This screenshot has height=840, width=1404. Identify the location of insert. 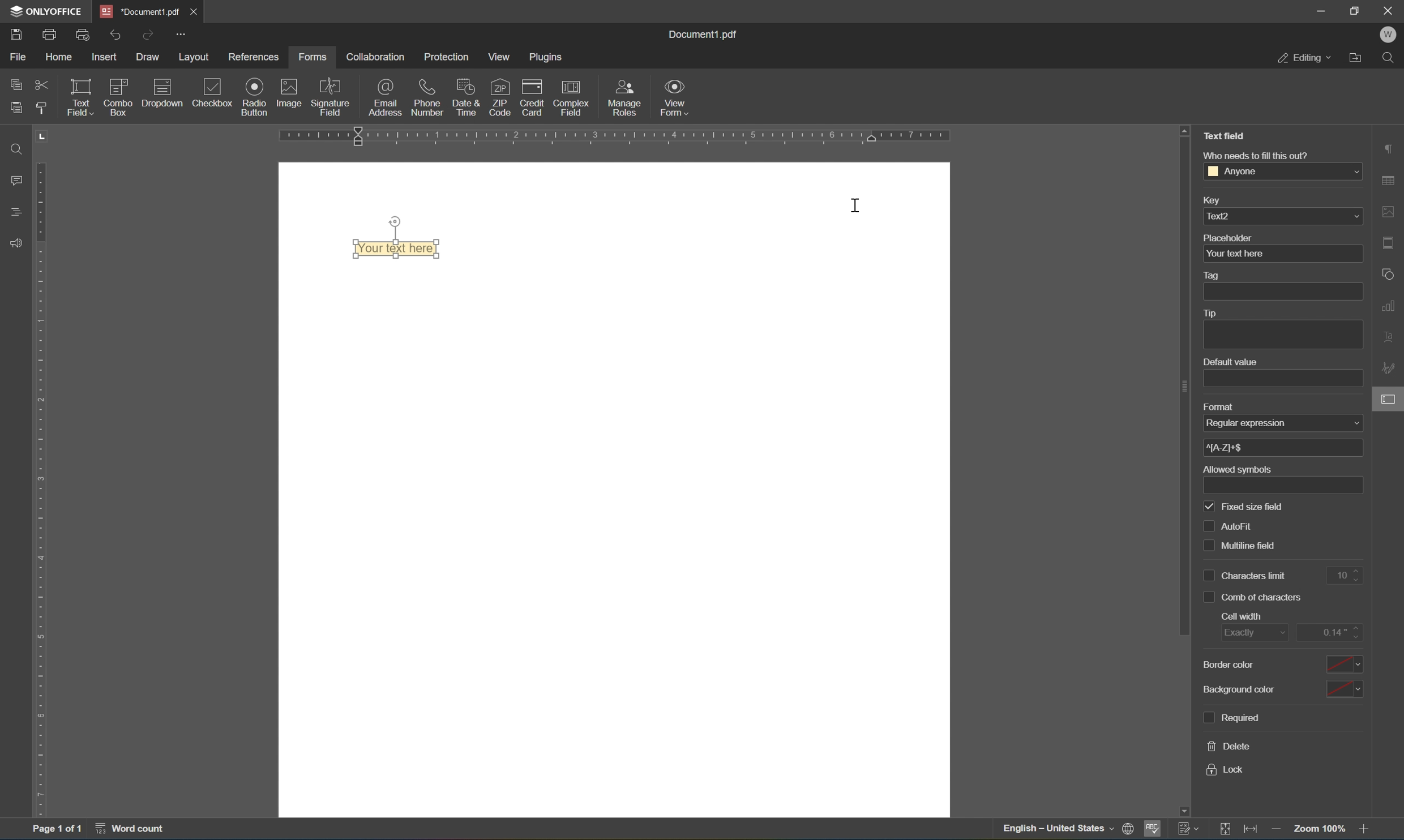
(105, 54).